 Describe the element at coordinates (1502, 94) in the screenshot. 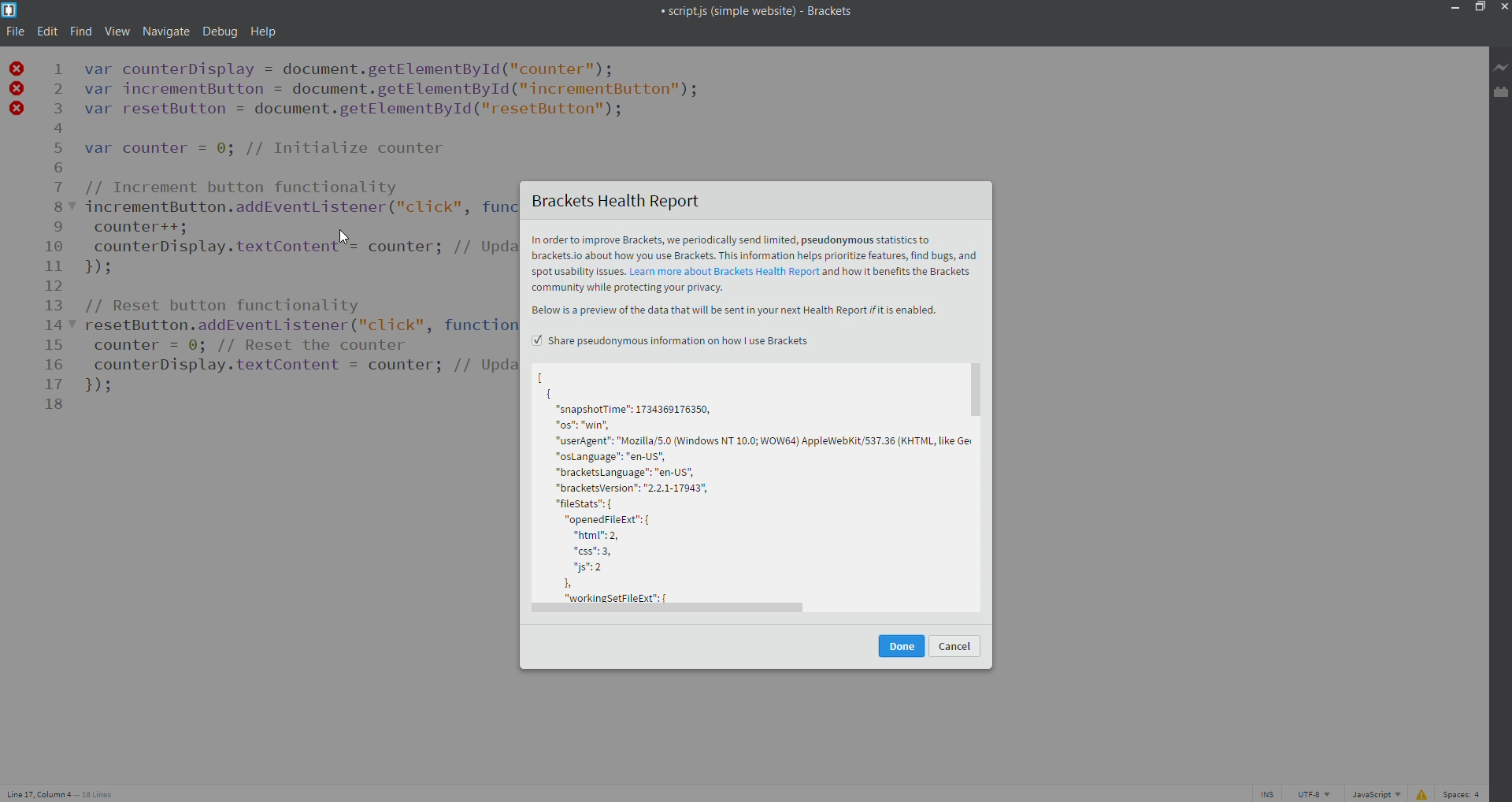

I see `extension manager` at that location.